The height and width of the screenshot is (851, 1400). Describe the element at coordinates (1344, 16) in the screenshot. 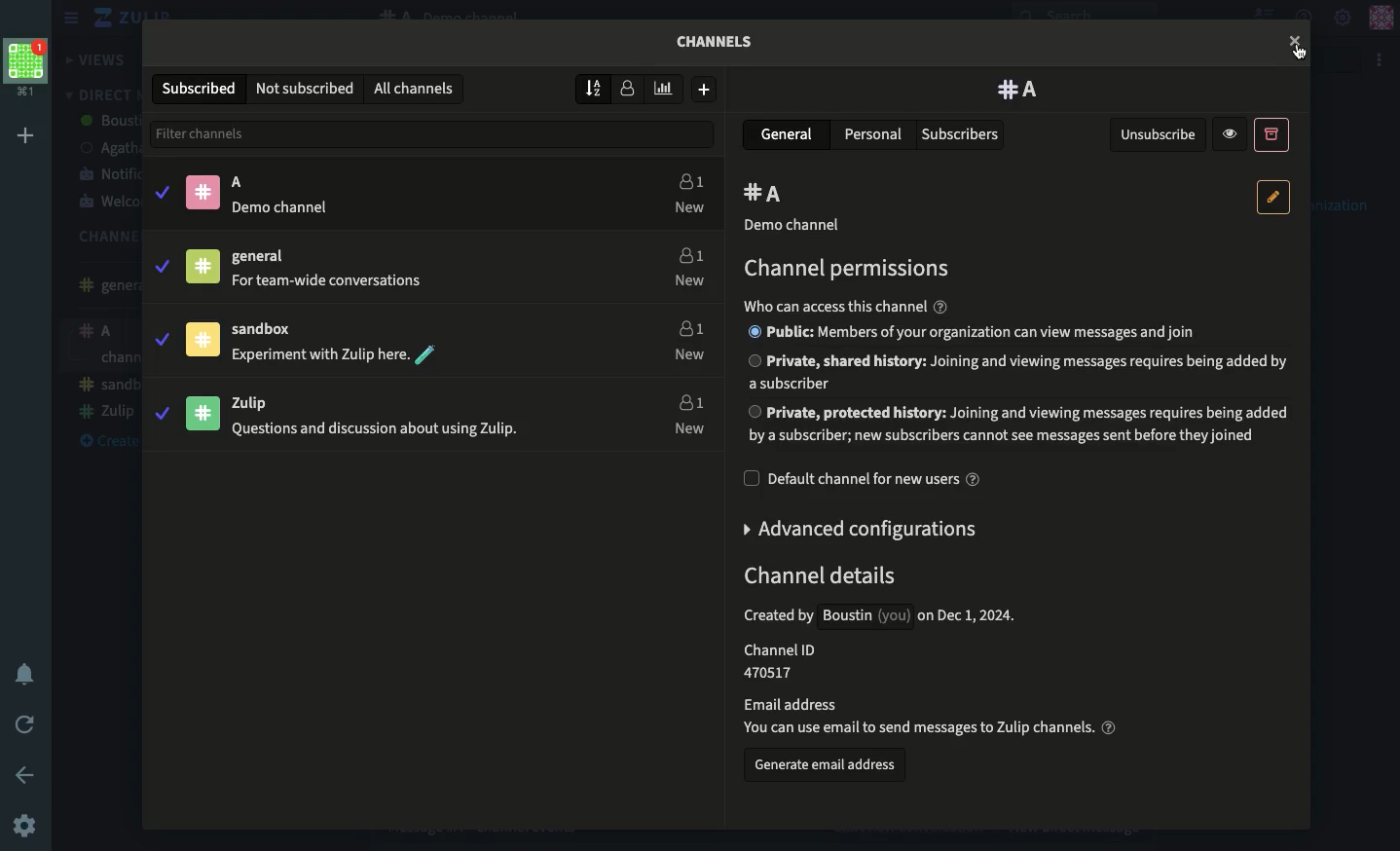

I see `Settings` at that location.